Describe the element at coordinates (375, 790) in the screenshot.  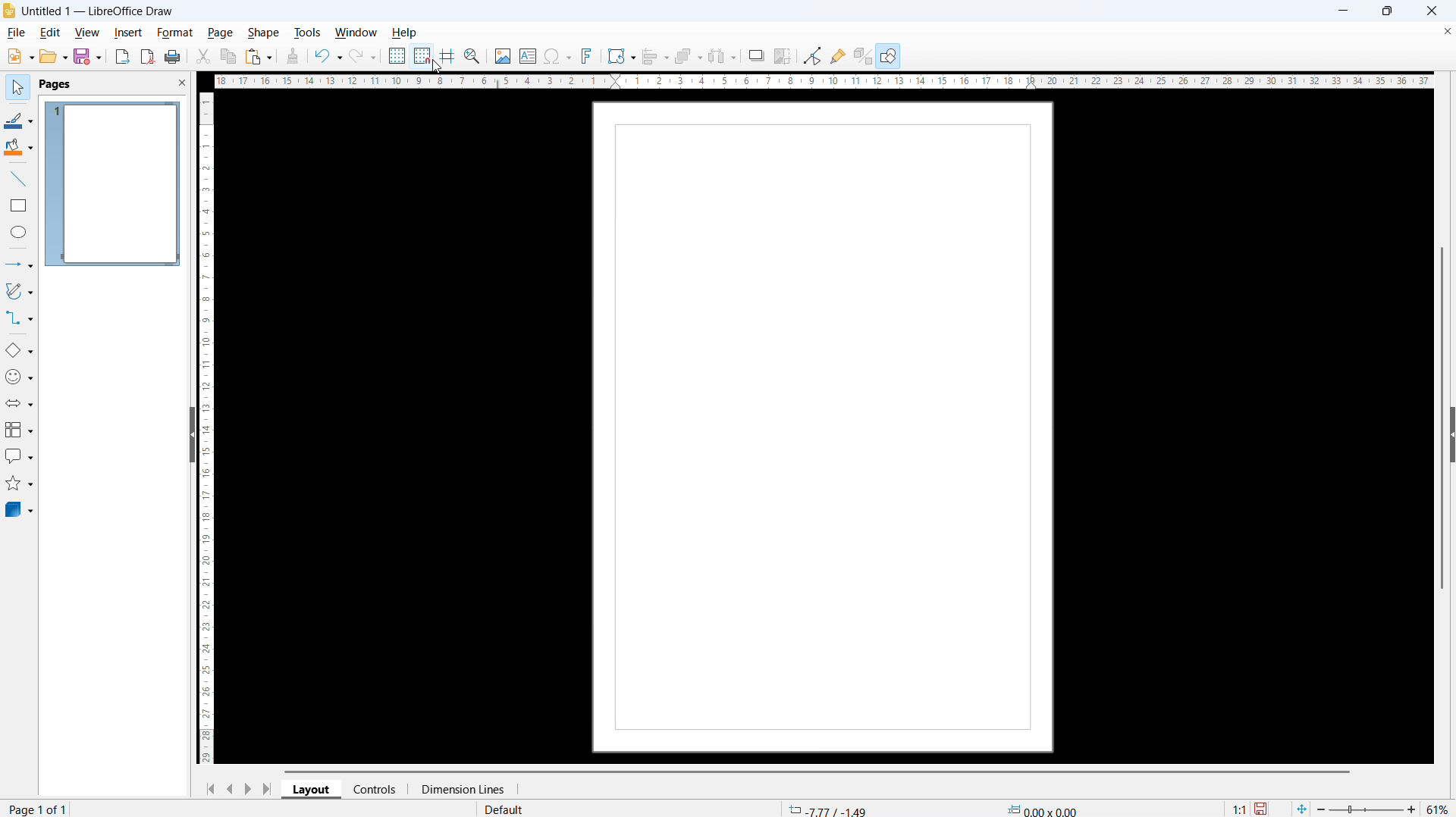
I see `controls` at that location.